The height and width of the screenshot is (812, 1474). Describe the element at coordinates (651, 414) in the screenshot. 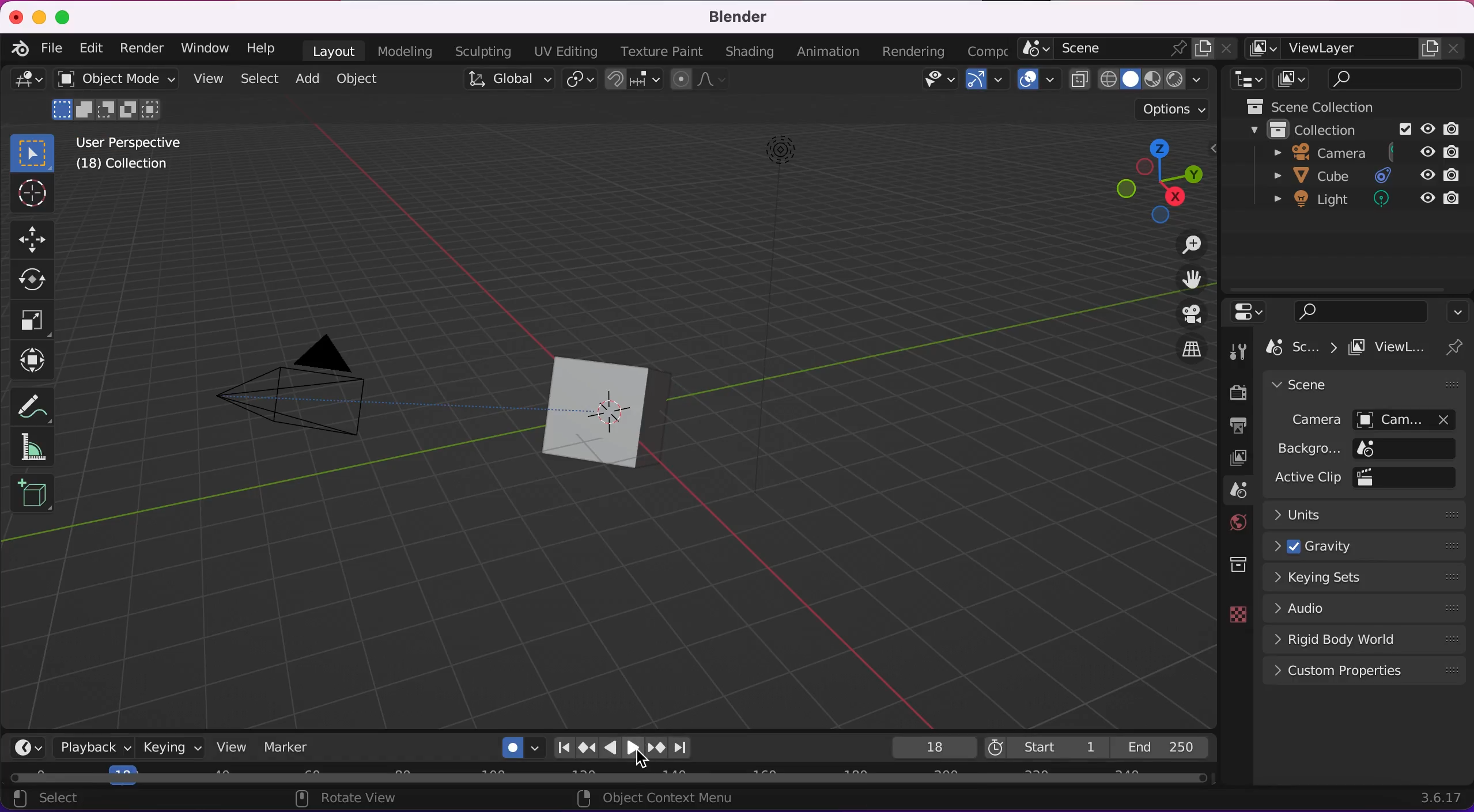

I see `cube` at that location.